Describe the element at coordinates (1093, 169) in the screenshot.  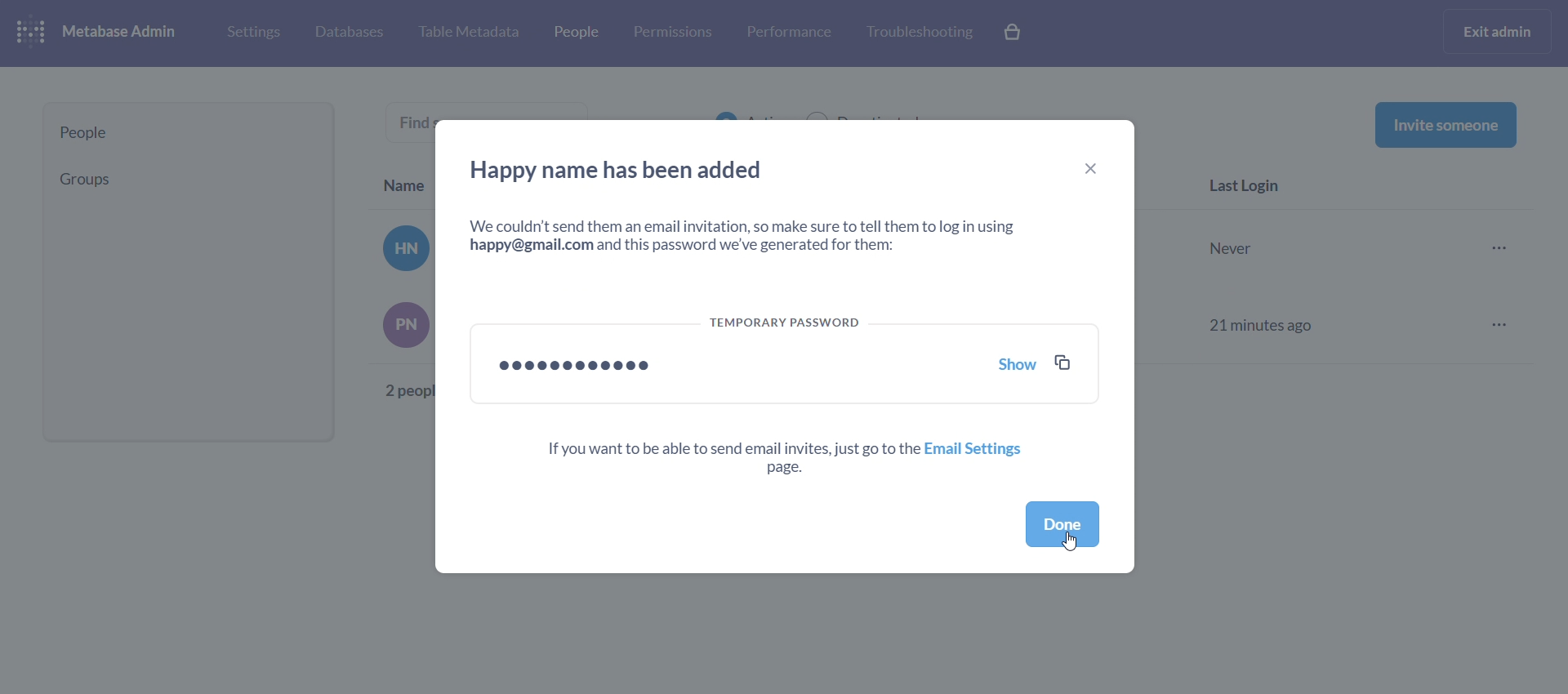
I see `close` at that location.